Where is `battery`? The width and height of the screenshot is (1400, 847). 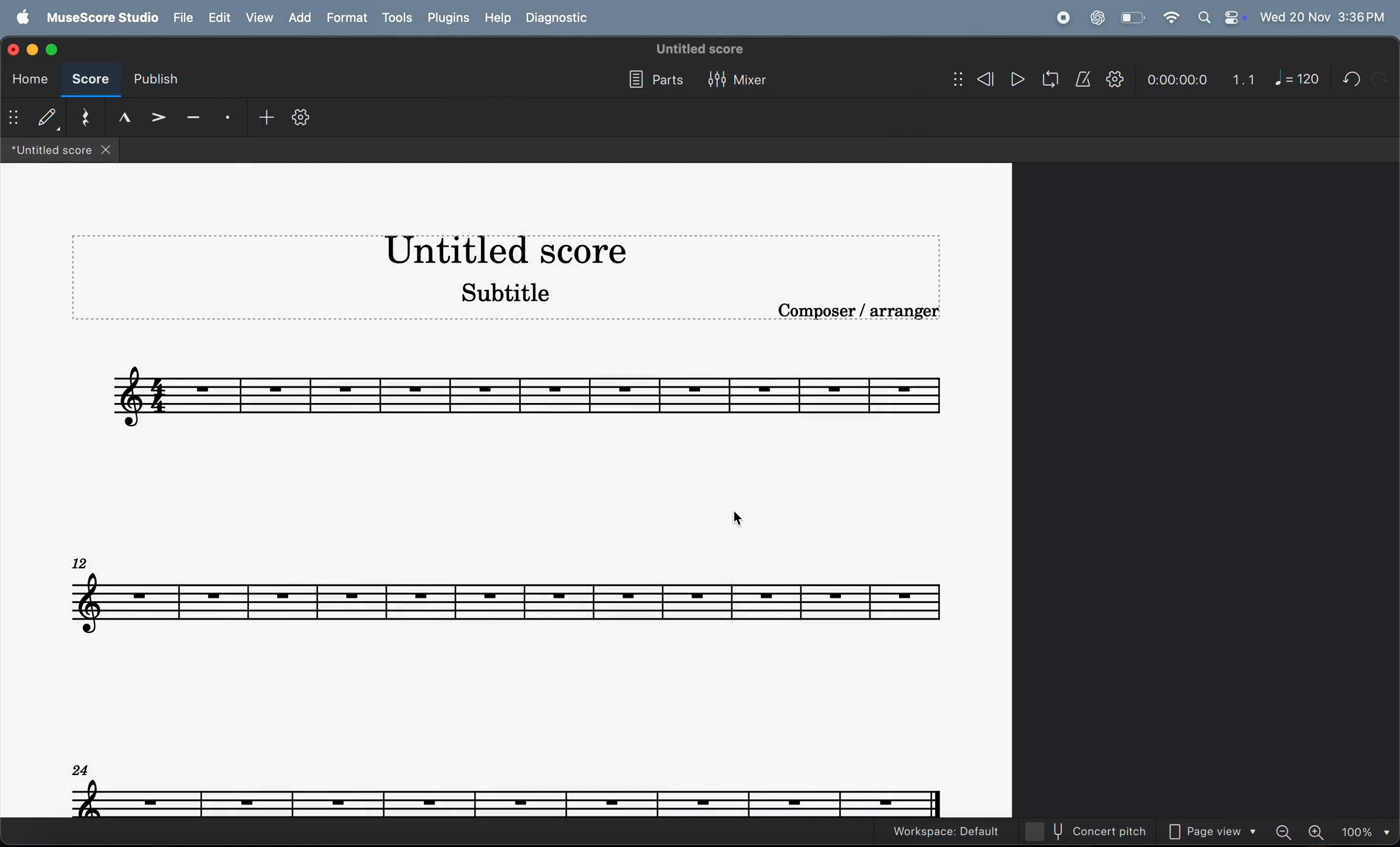 battery is located at coordinates (1131, 18).